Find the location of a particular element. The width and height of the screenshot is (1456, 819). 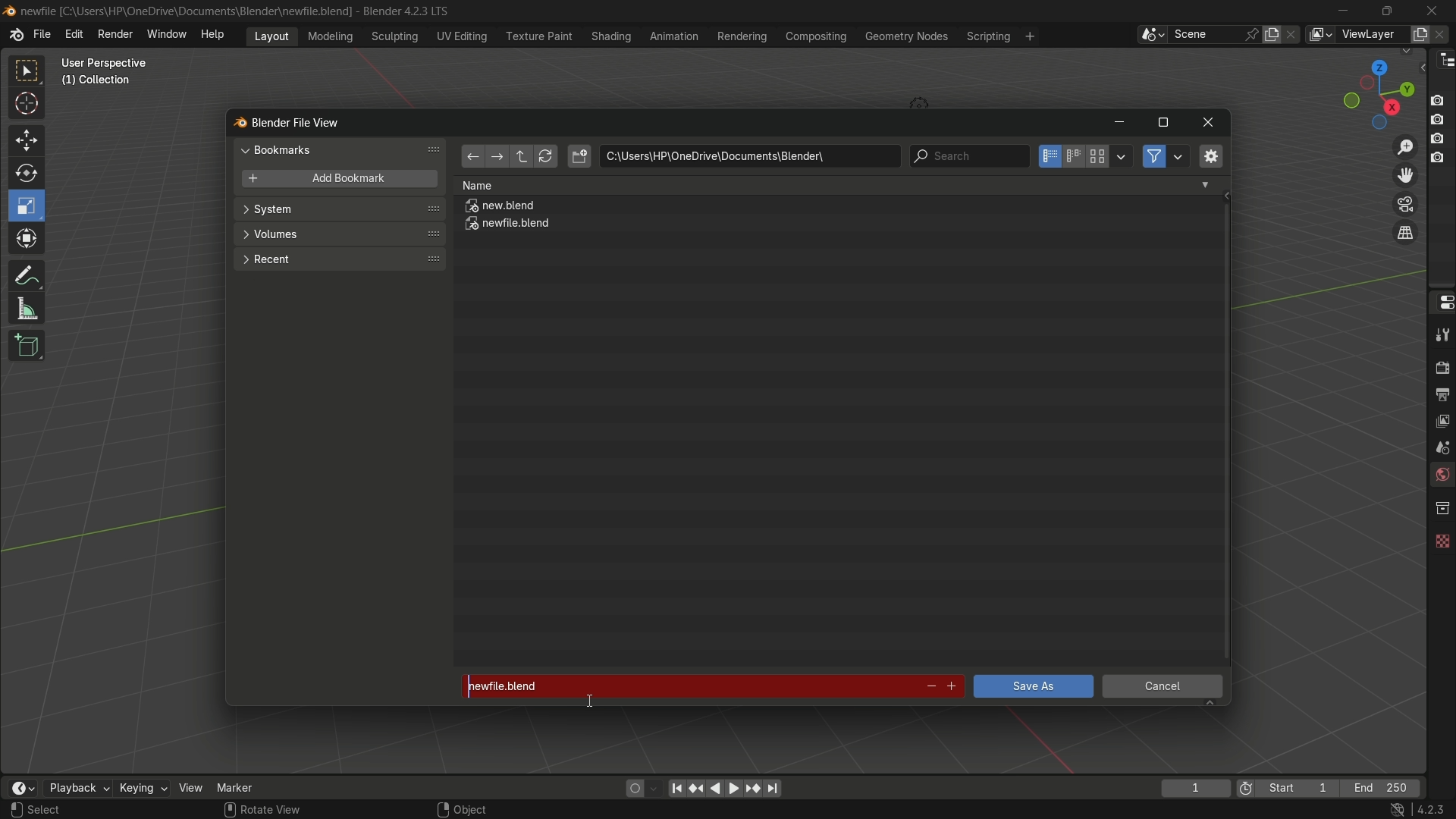

jump to keyframe is located at coordinates (753, 787).